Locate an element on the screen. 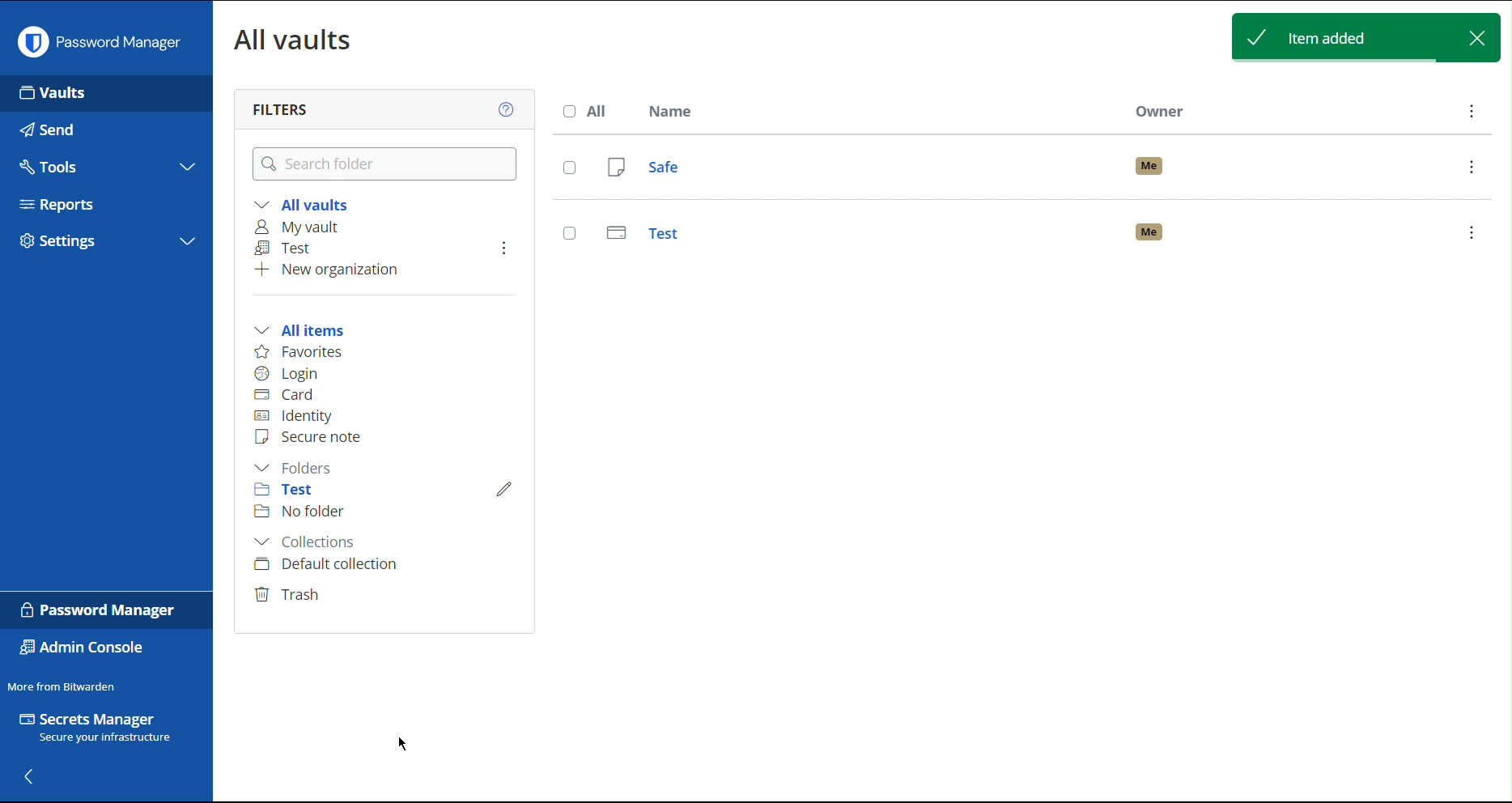 The image size is (1512, 803). Edit is located at coordinates (504, 486).